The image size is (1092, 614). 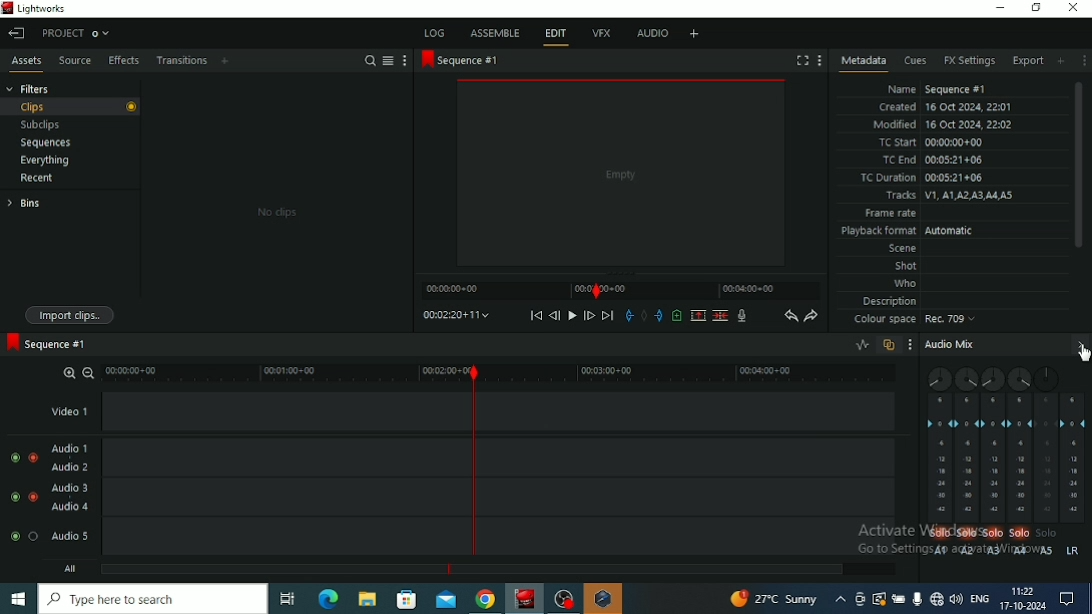 I want to click on Metadata, so click(x=863, y=62).